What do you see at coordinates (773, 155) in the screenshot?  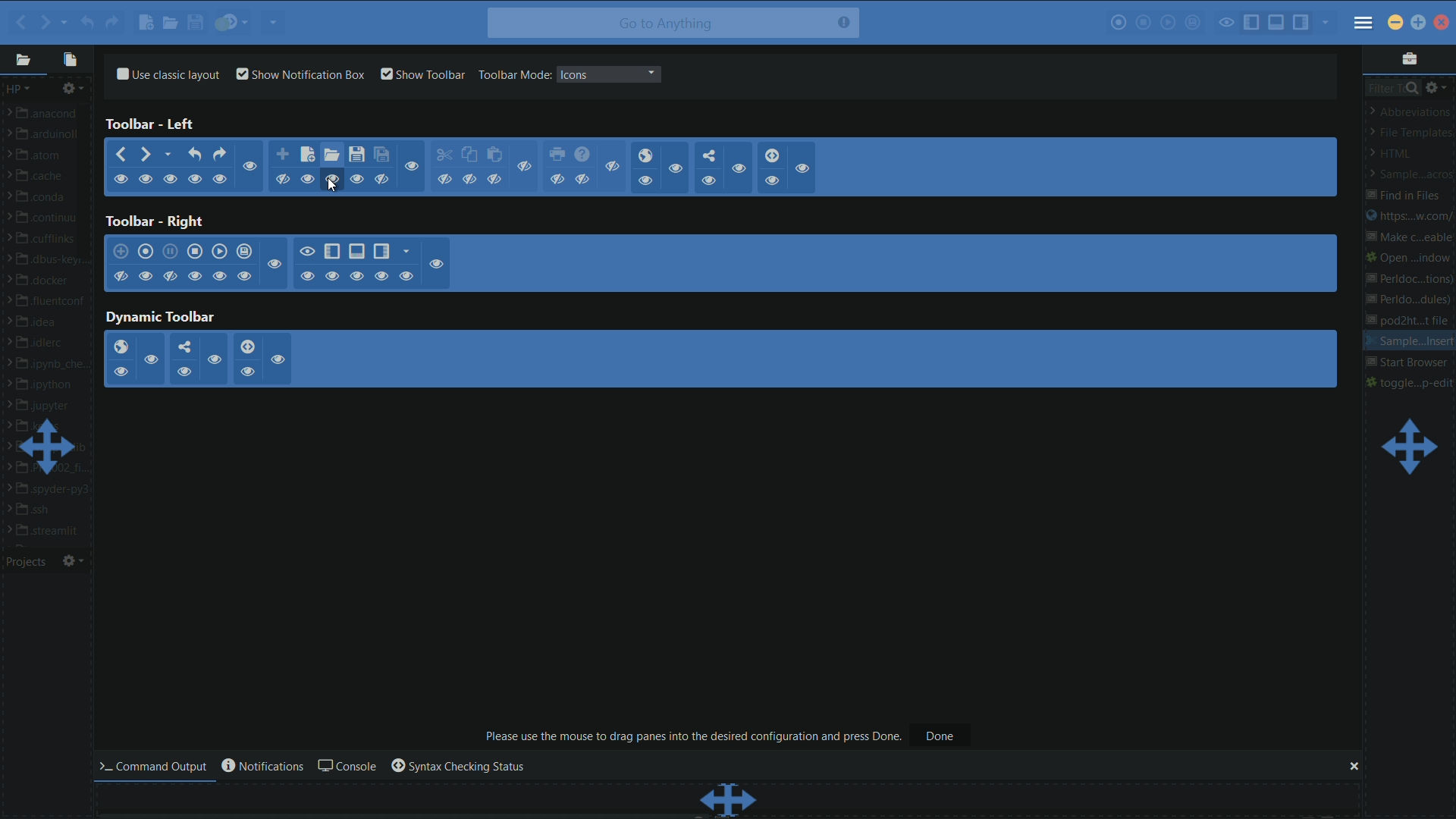 I see `jump to next syntax checking result` at bounding box center [773, 155].